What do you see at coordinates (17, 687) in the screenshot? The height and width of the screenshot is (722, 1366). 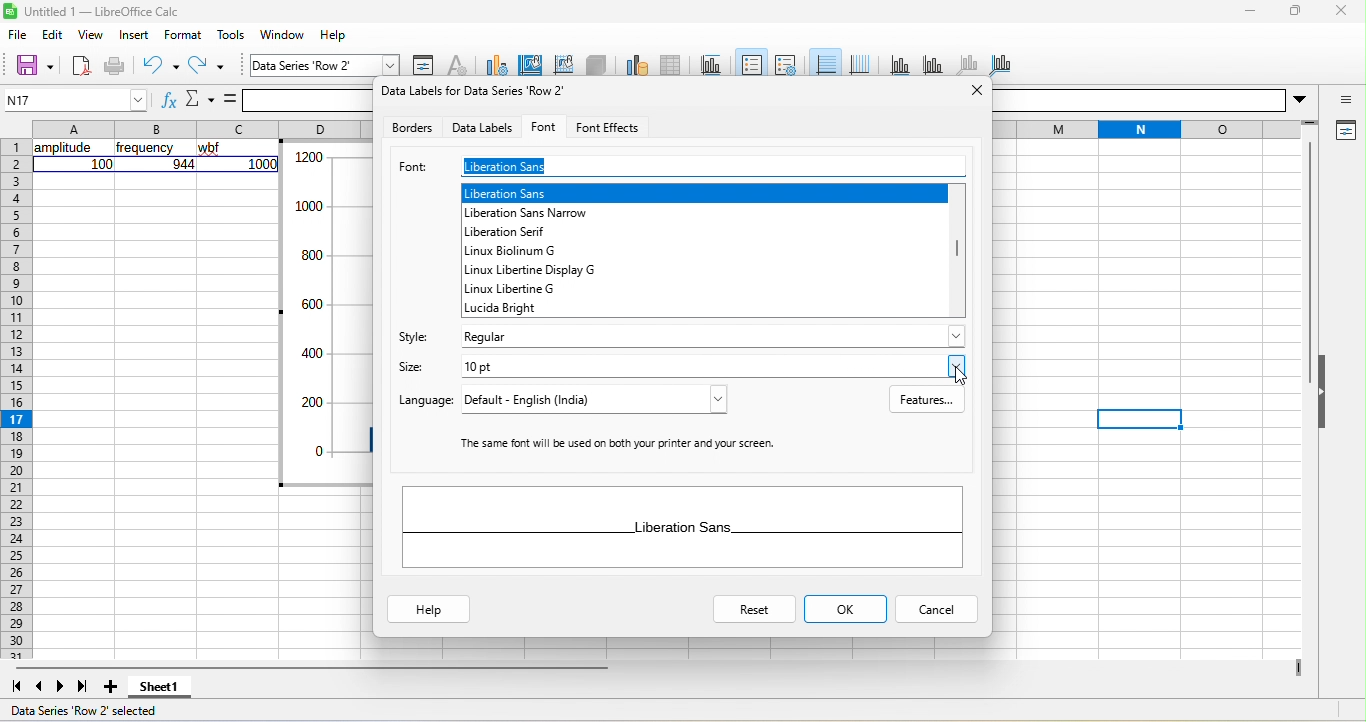 I see `first sheet` at bounding box center [17, 687].